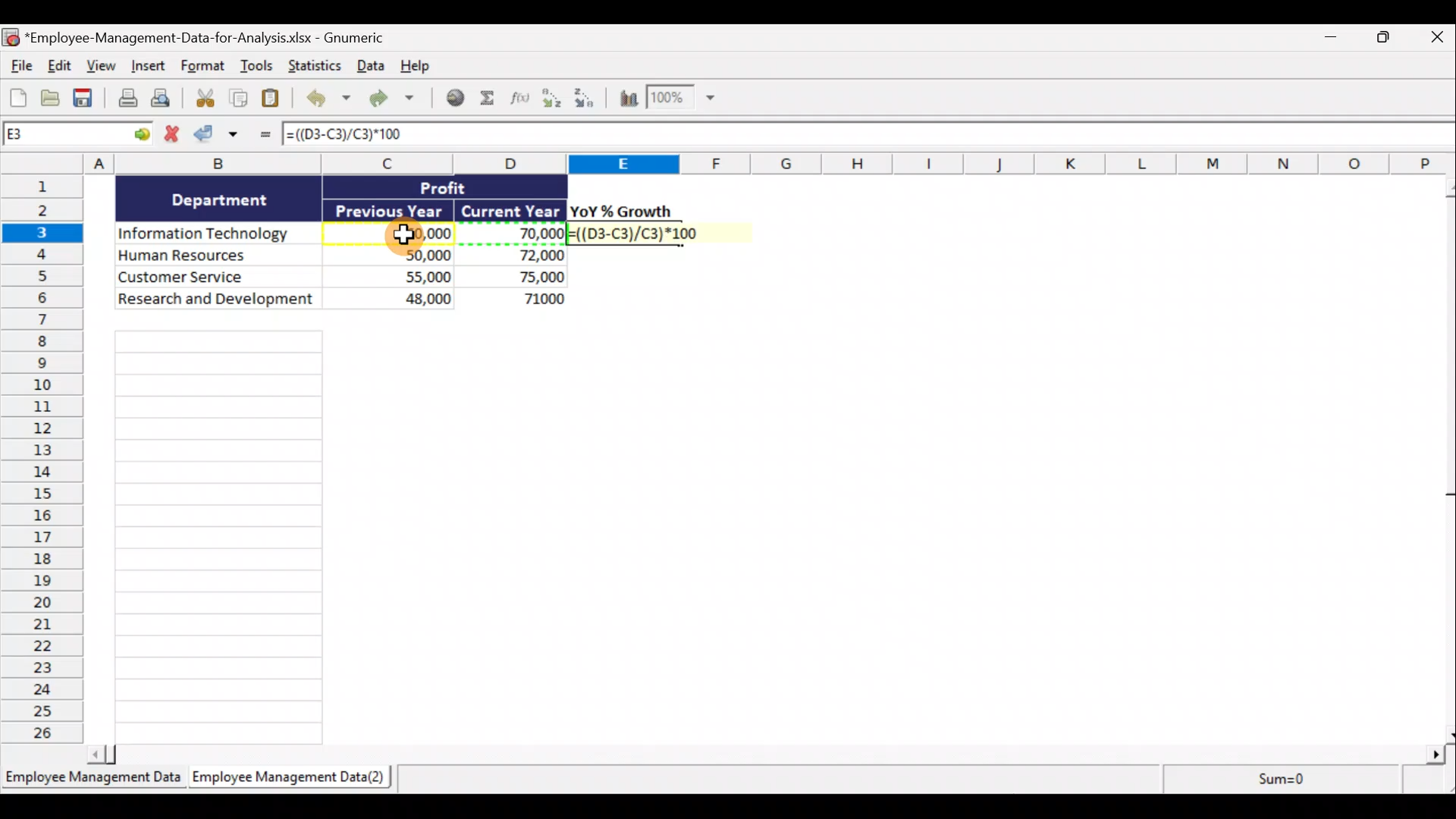  Describe the element at coordinates (221, 137) in the screenshot. I see `Accept change` at that location.